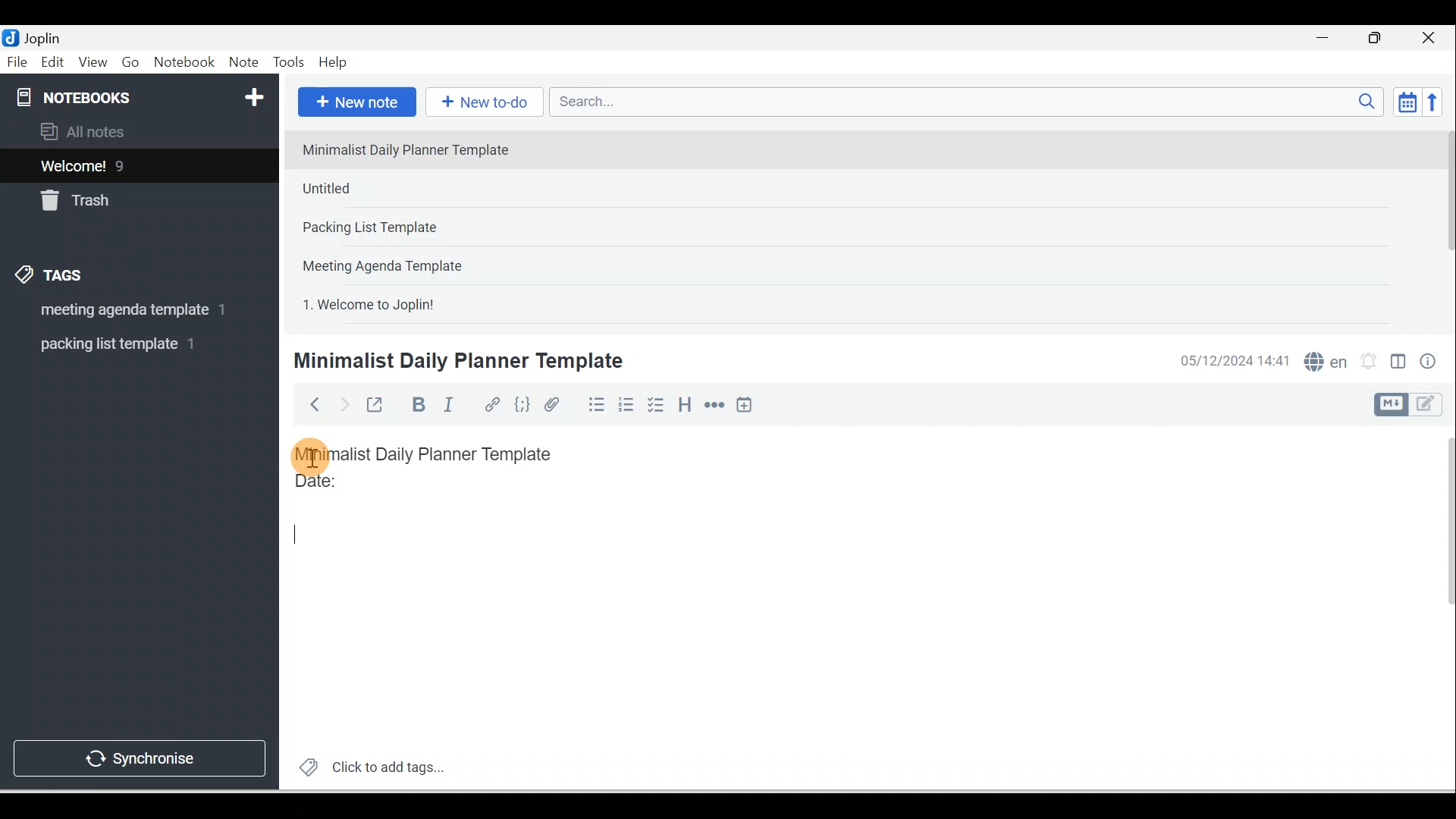  I want to click on Checkbox, so click(654, 405).